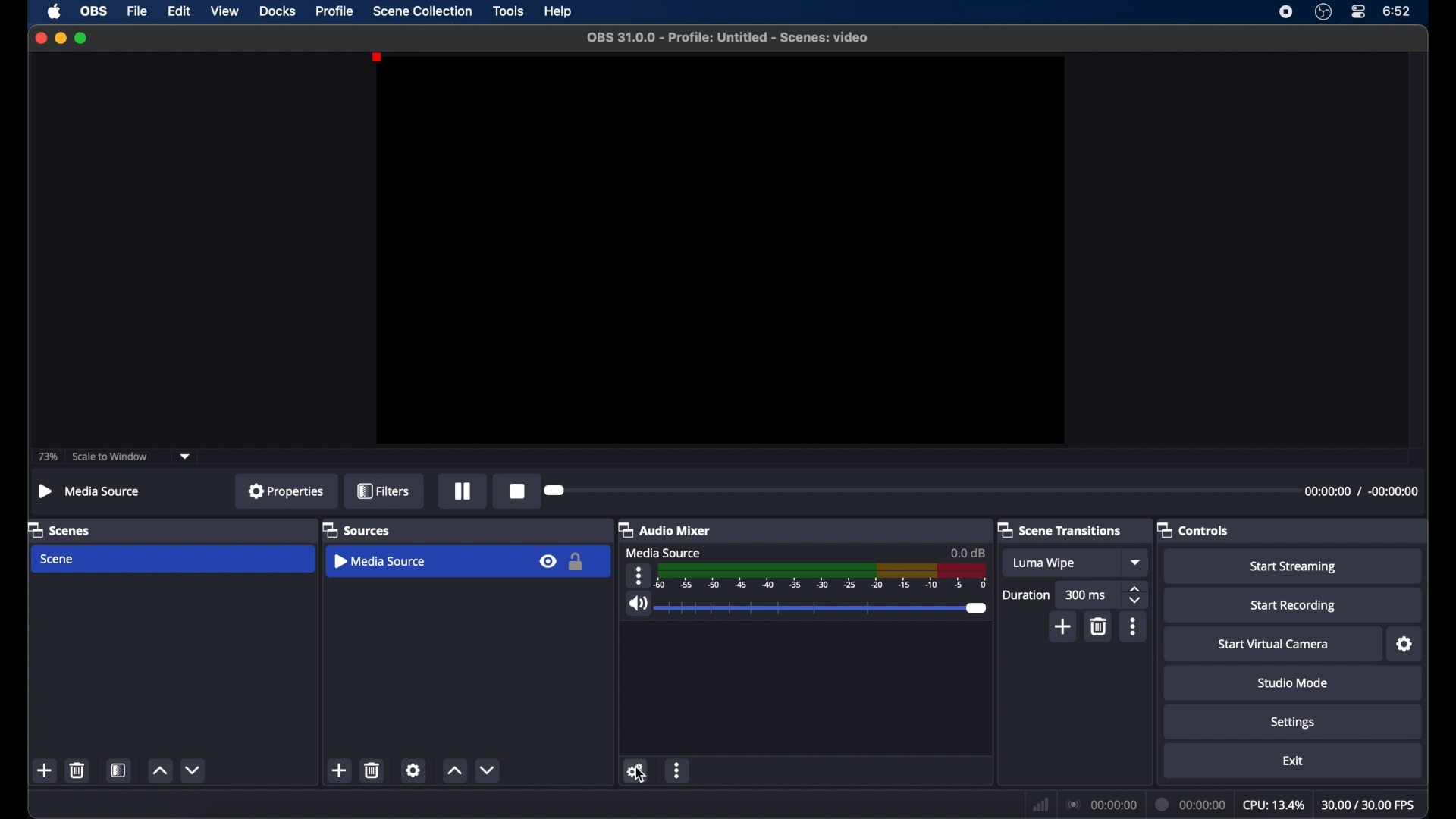 This screenshot has width=1456, height=819. What do you see at coordinates (1027, 594) in the screenshot?
I see `duration` at bounding box center [1027, 594].